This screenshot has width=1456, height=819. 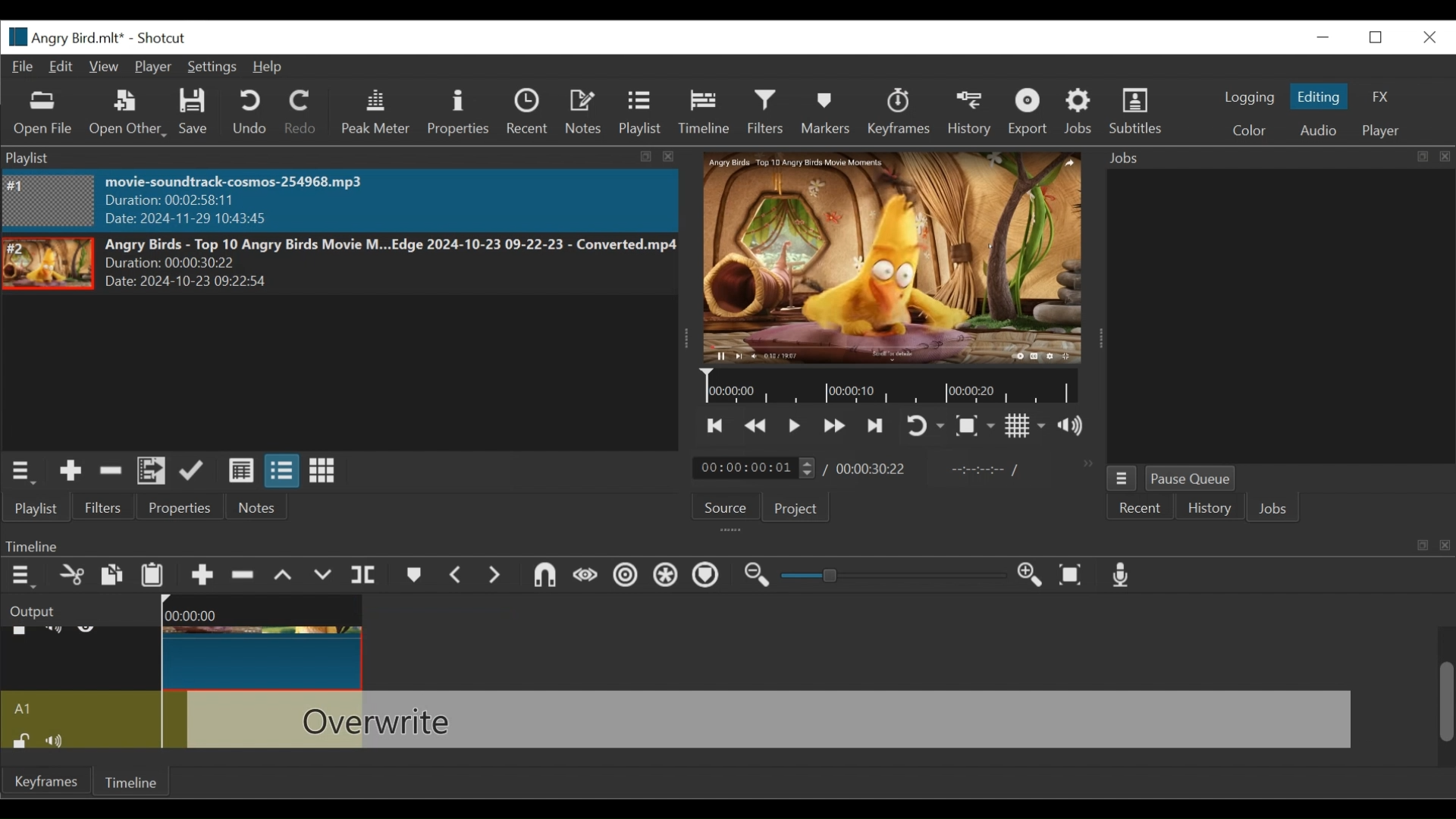 I want to click on Audio track , so click(x=81, y=708).